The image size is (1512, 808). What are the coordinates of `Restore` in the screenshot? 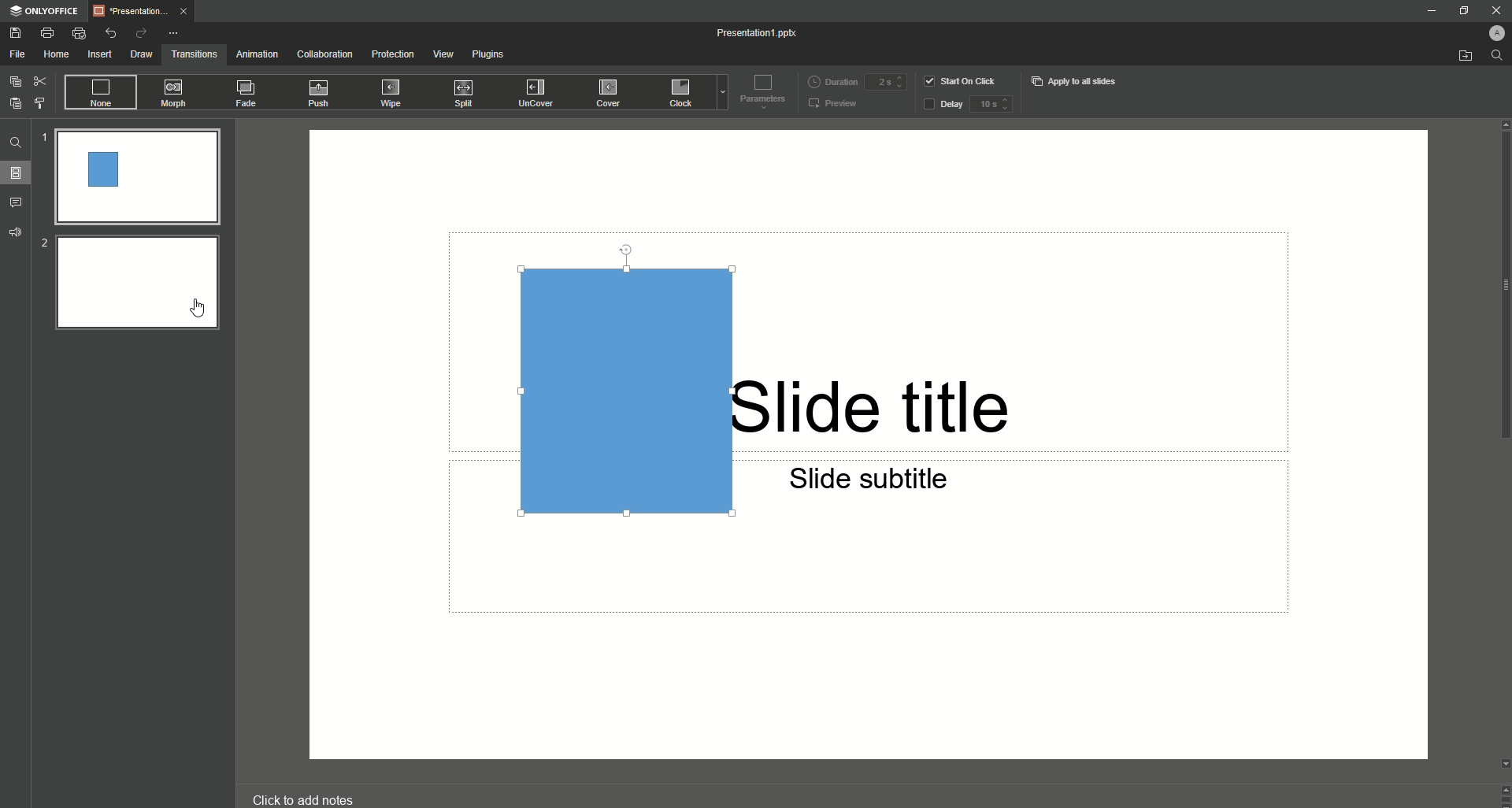 It's located at (1460, 10).